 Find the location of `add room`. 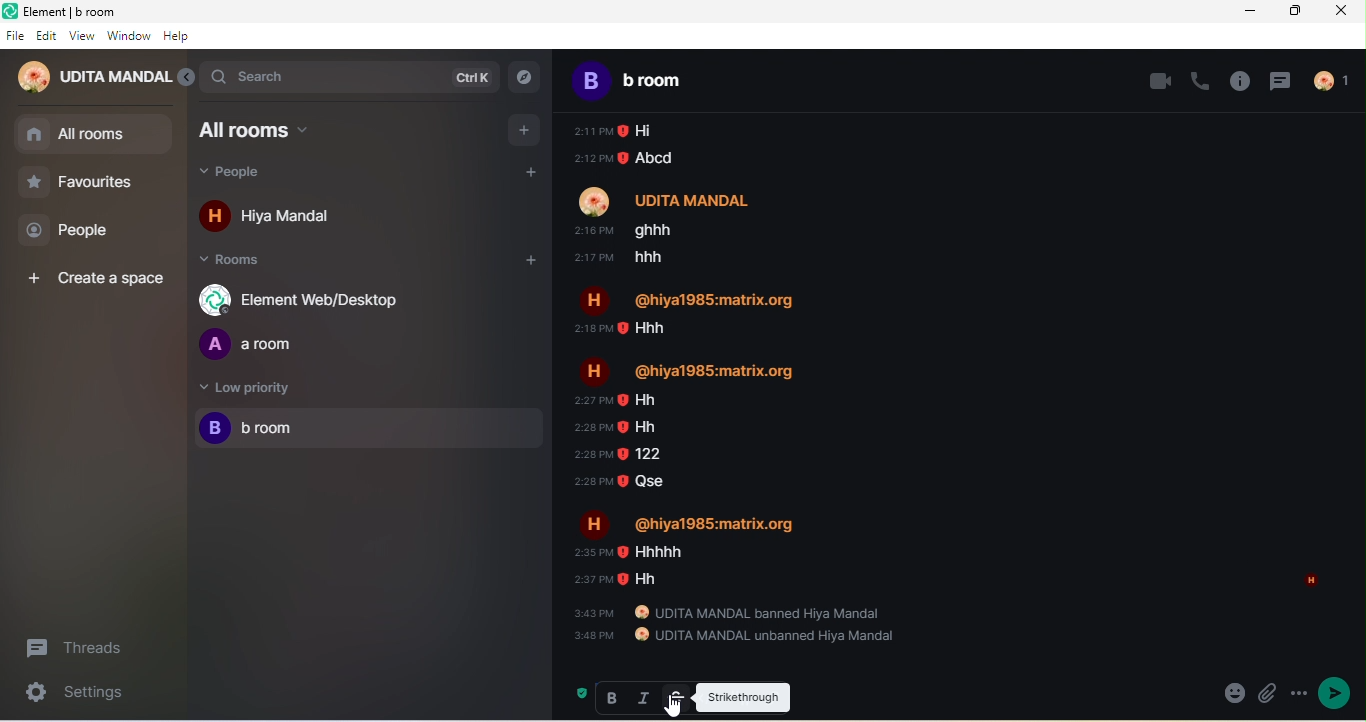

add room is located at coordinates (525, 130).